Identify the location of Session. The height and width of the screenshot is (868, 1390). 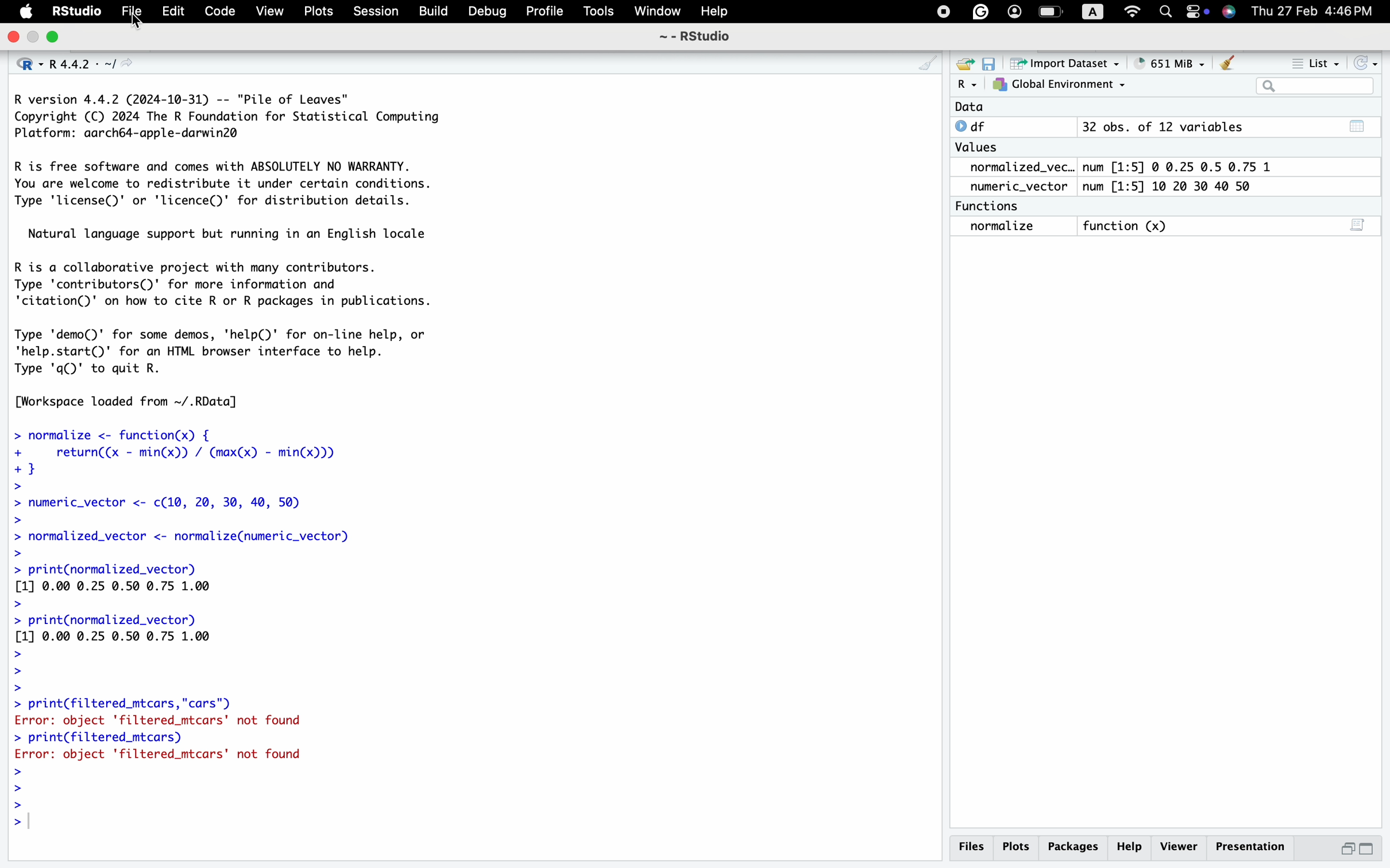
(375, 14).